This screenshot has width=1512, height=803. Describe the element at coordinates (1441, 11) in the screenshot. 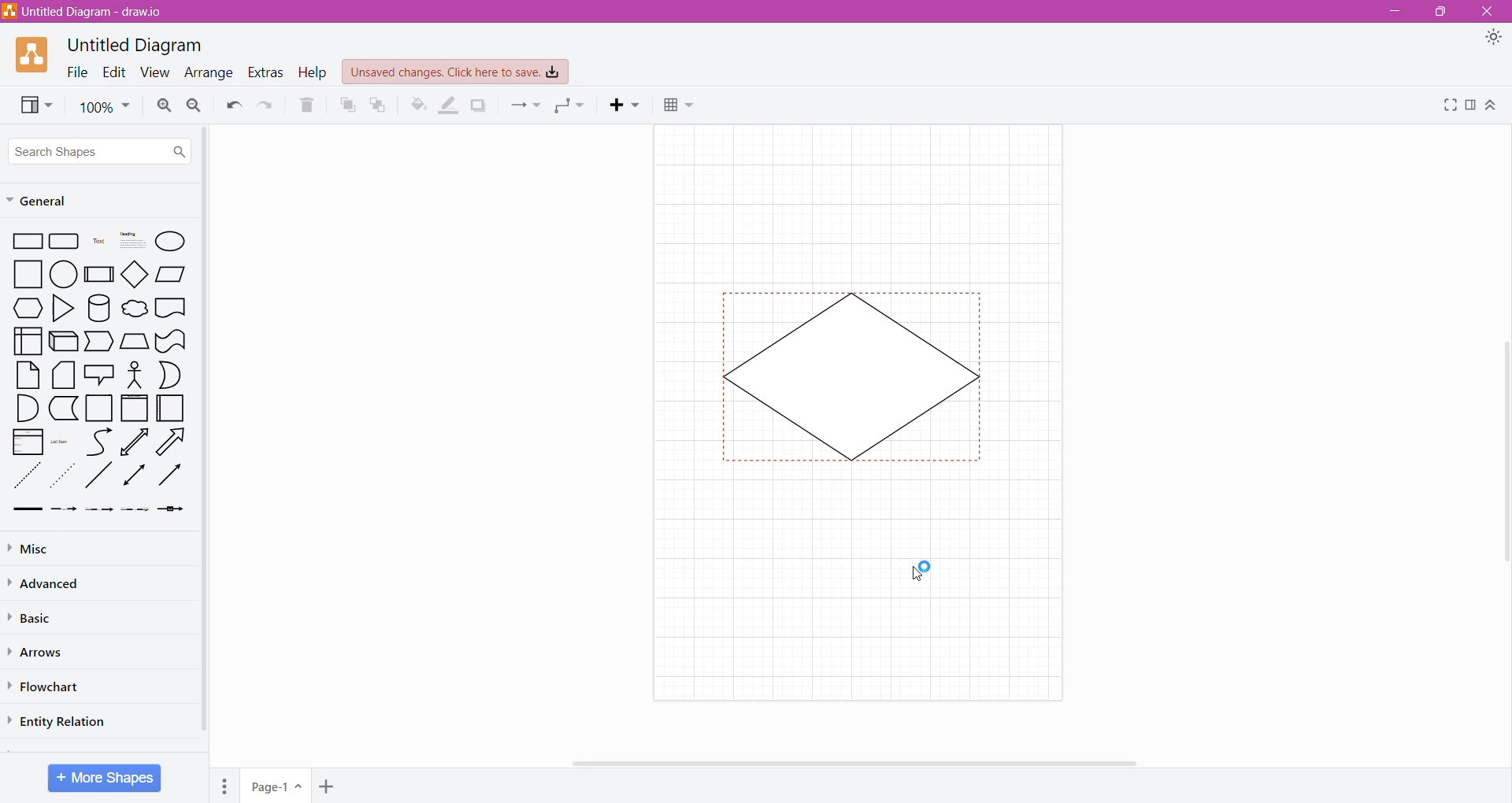

I see `Restore Down` at that location.